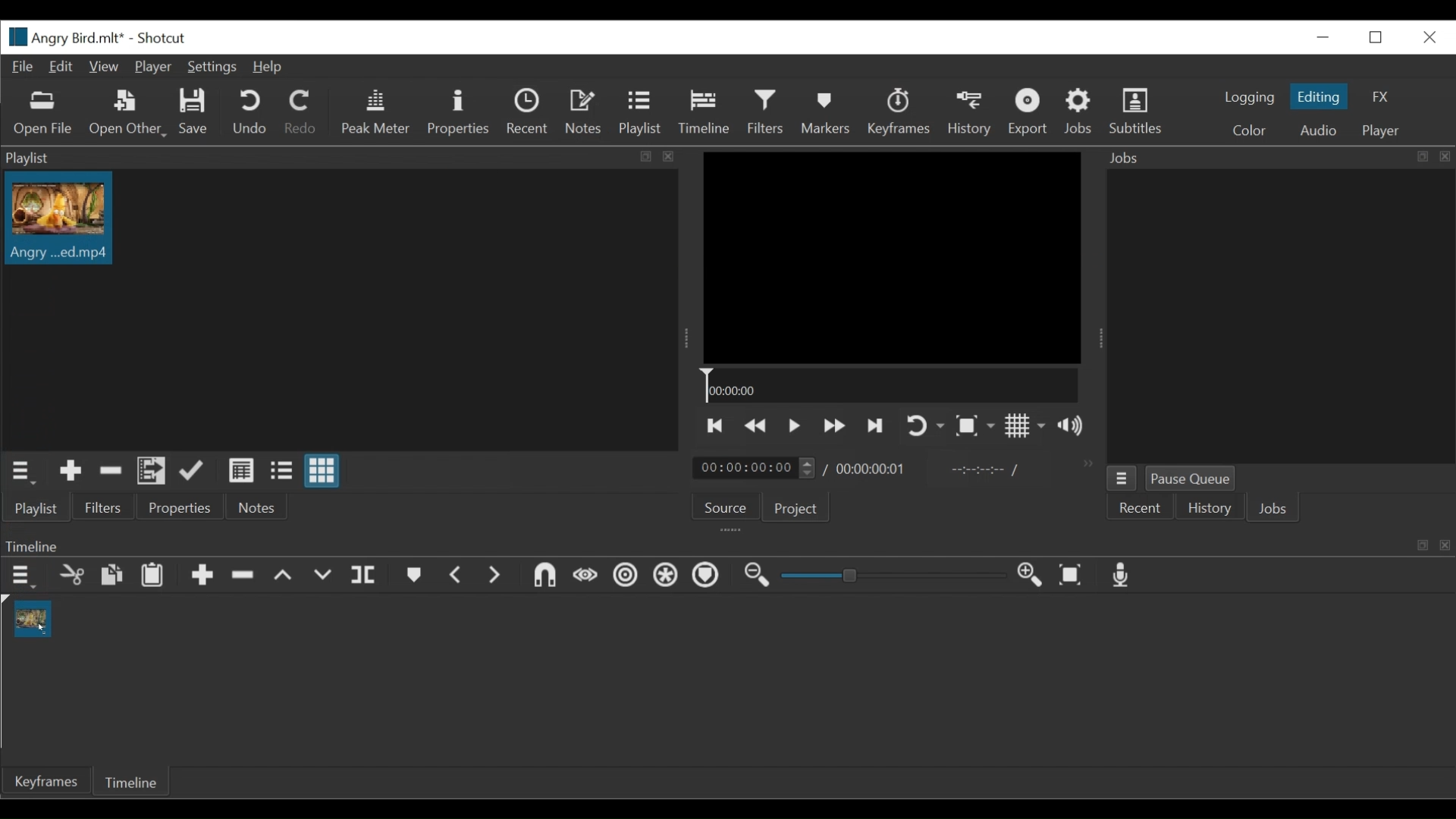  I want to click on Shotcut, so click(161, 38).